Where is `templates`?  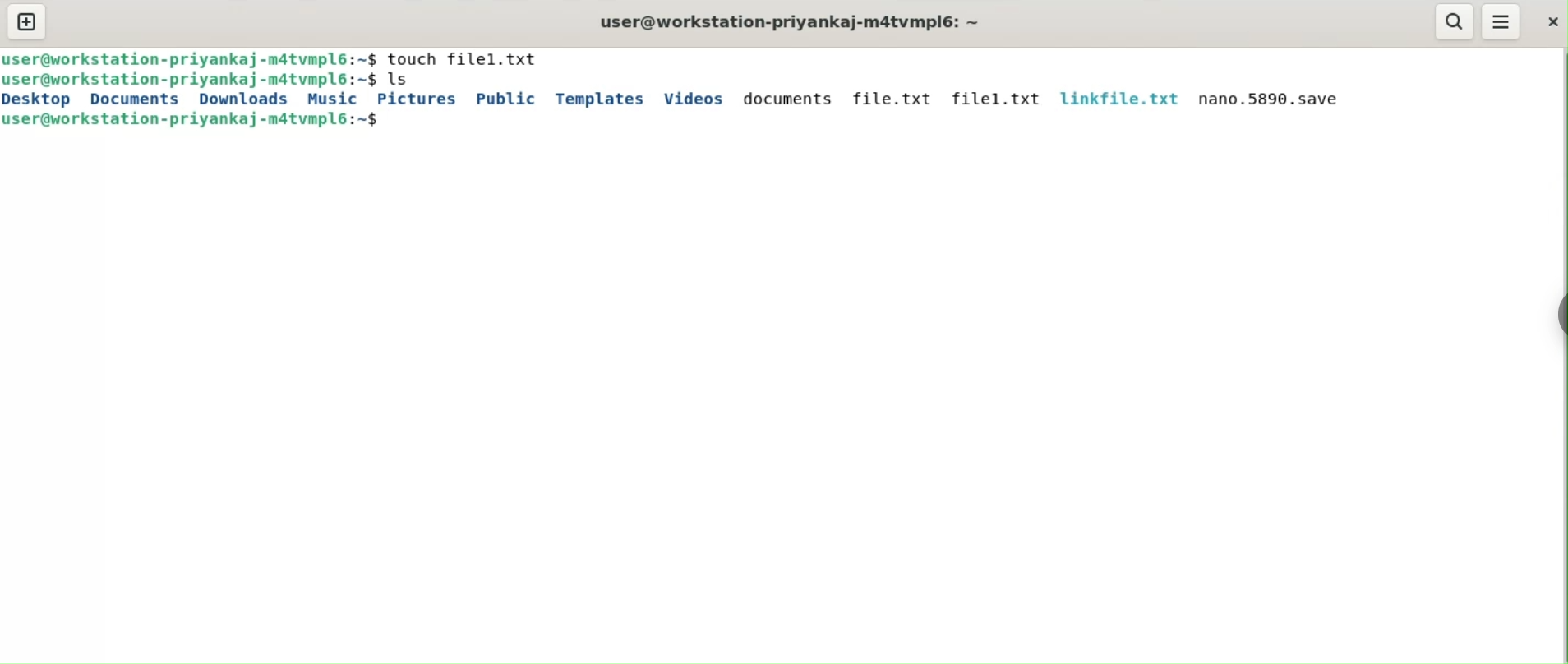 templates is located at coordinates (598, 100).